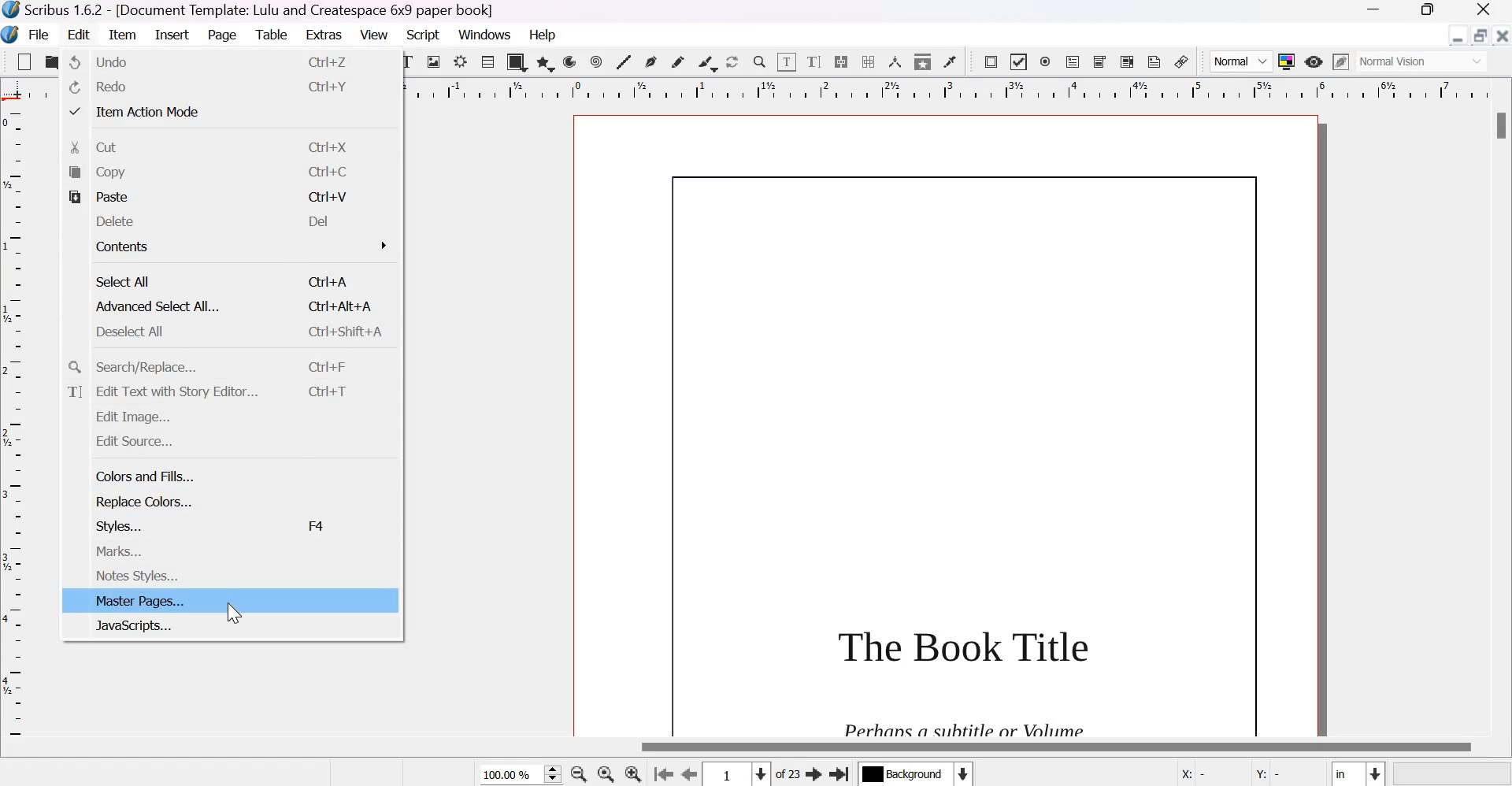 This screenshot has width=1512, height=786. What do you see at coordinates (271, 35) in the screenshot?
I see `Table` at bounding box center [271, 35].